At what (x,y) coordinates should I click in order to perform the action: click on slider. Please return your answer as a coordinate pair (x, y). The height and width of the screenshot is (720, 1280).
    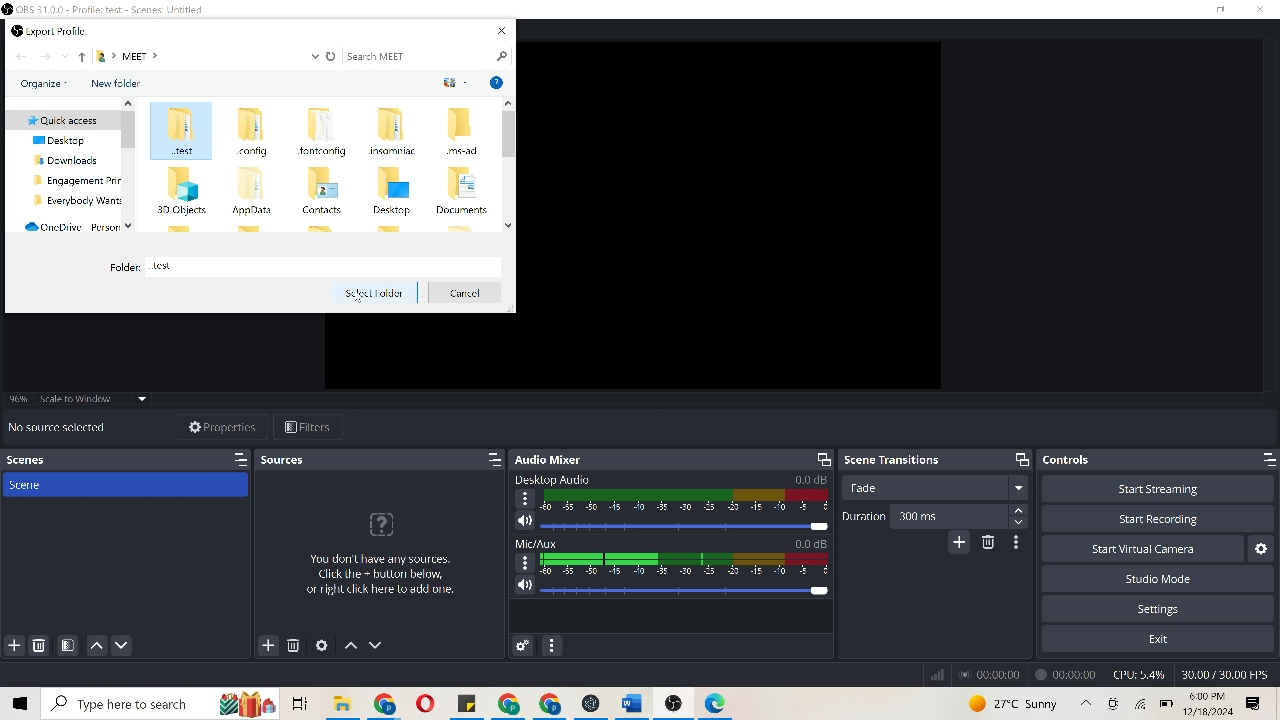
    Looking at the image, I should click on (685, 588).